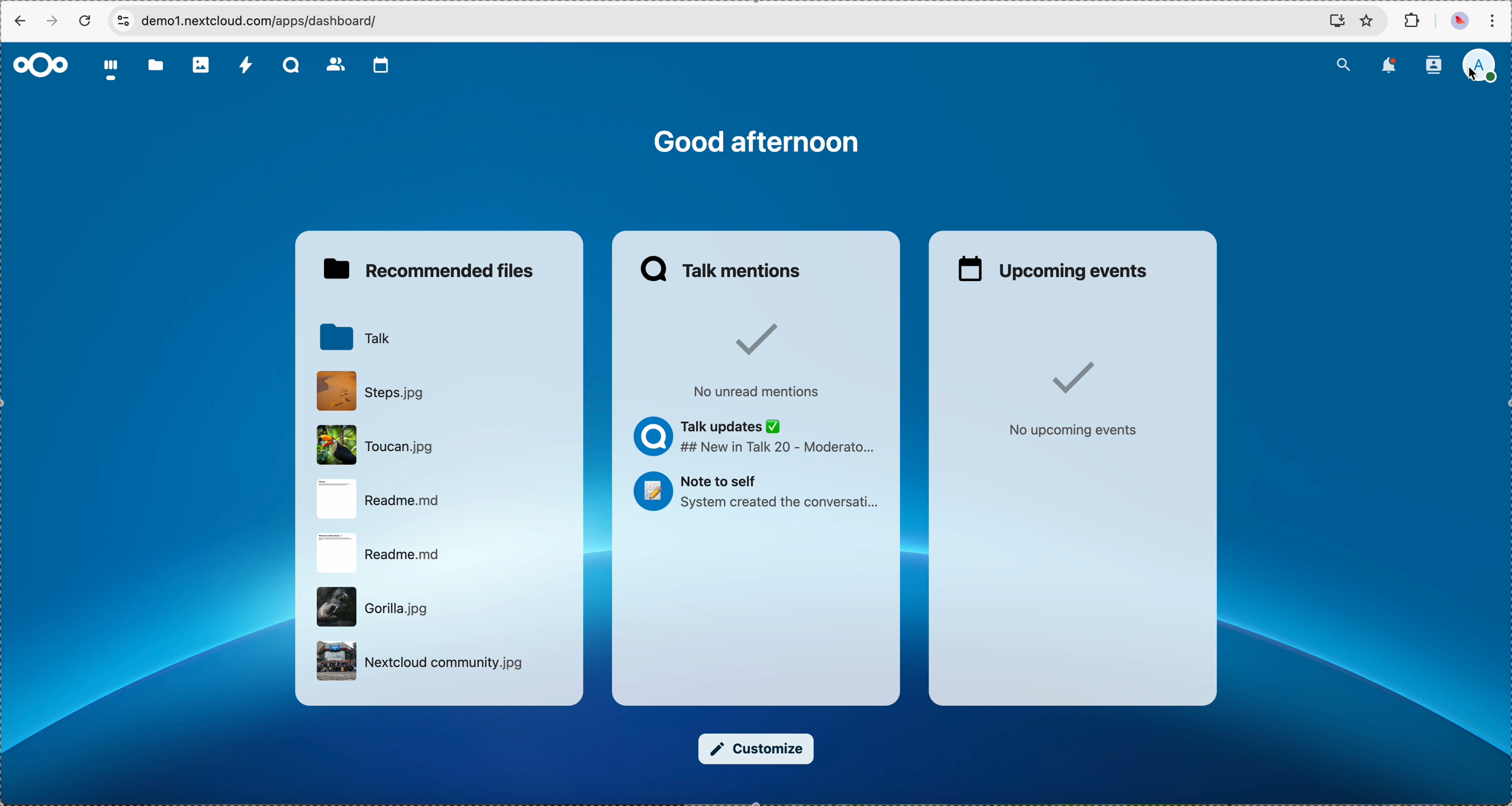  I want to click on controls, so click(123, 20).